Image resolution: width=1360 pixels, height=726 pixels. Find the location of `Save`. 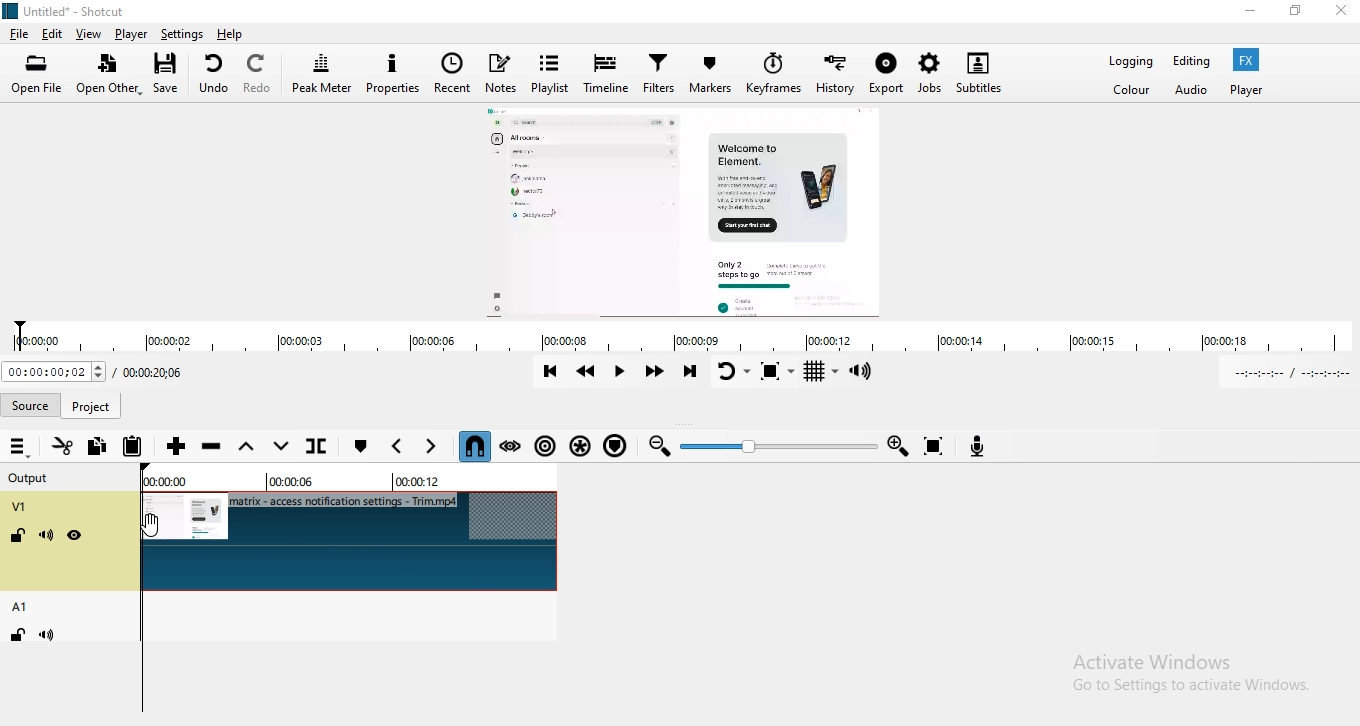

Save is located at coordinates (168, 77).